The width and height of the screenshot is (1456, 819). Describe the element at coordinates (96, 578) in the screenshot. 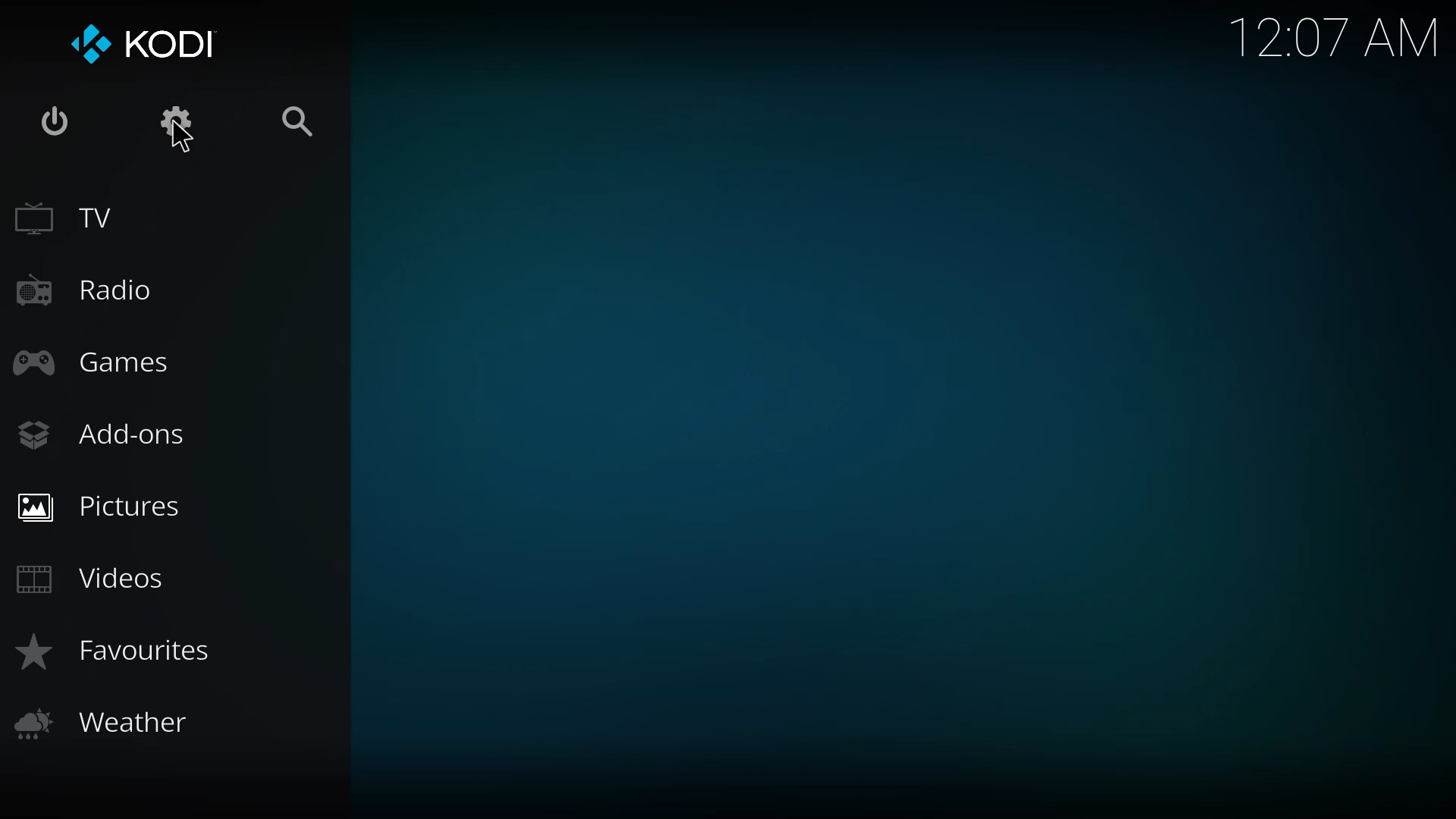

I see `videos` at that location.